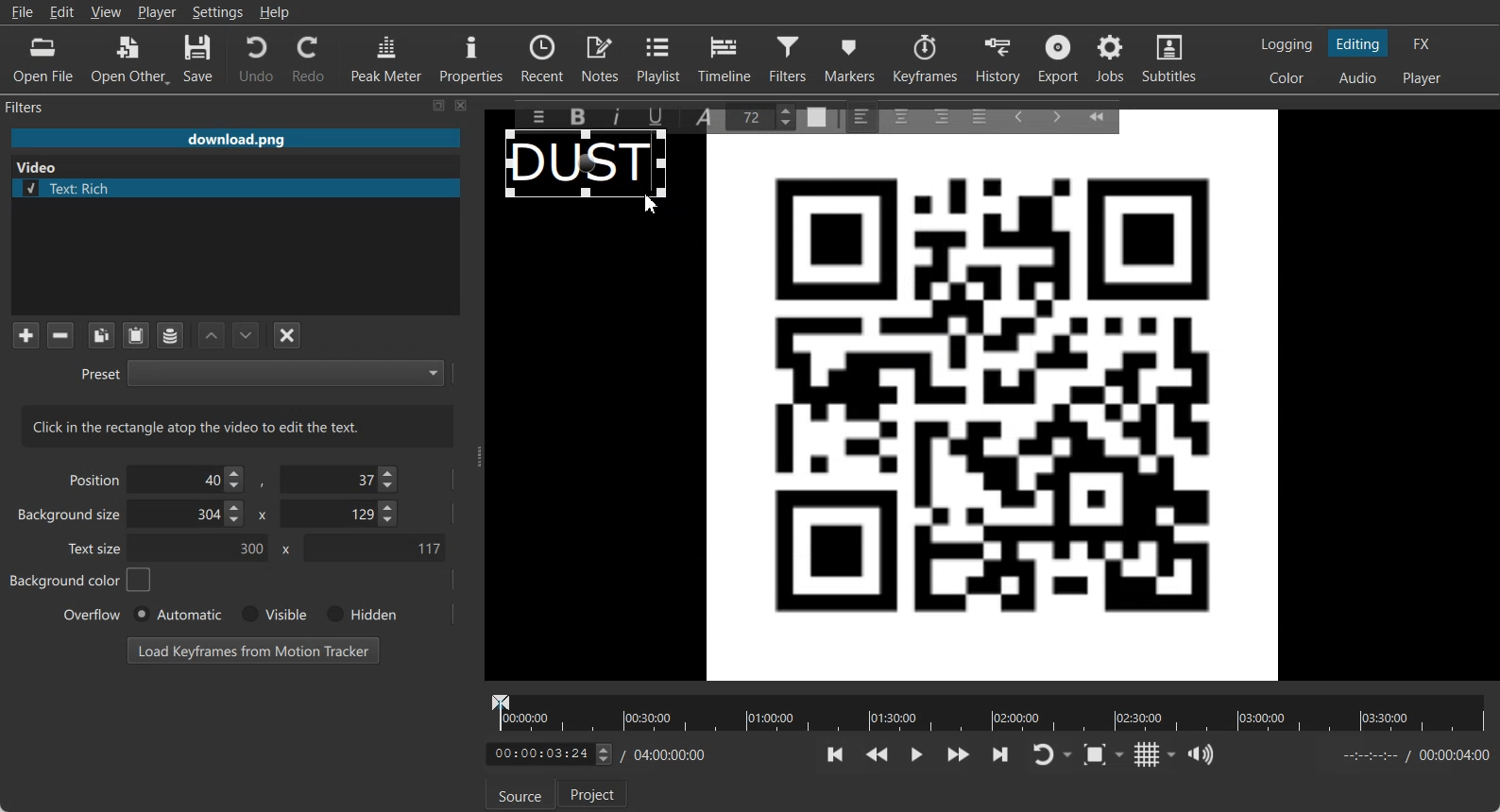 The width and height of the screenshot is (1500, 812). I want to click on Source, so click(517, 795).